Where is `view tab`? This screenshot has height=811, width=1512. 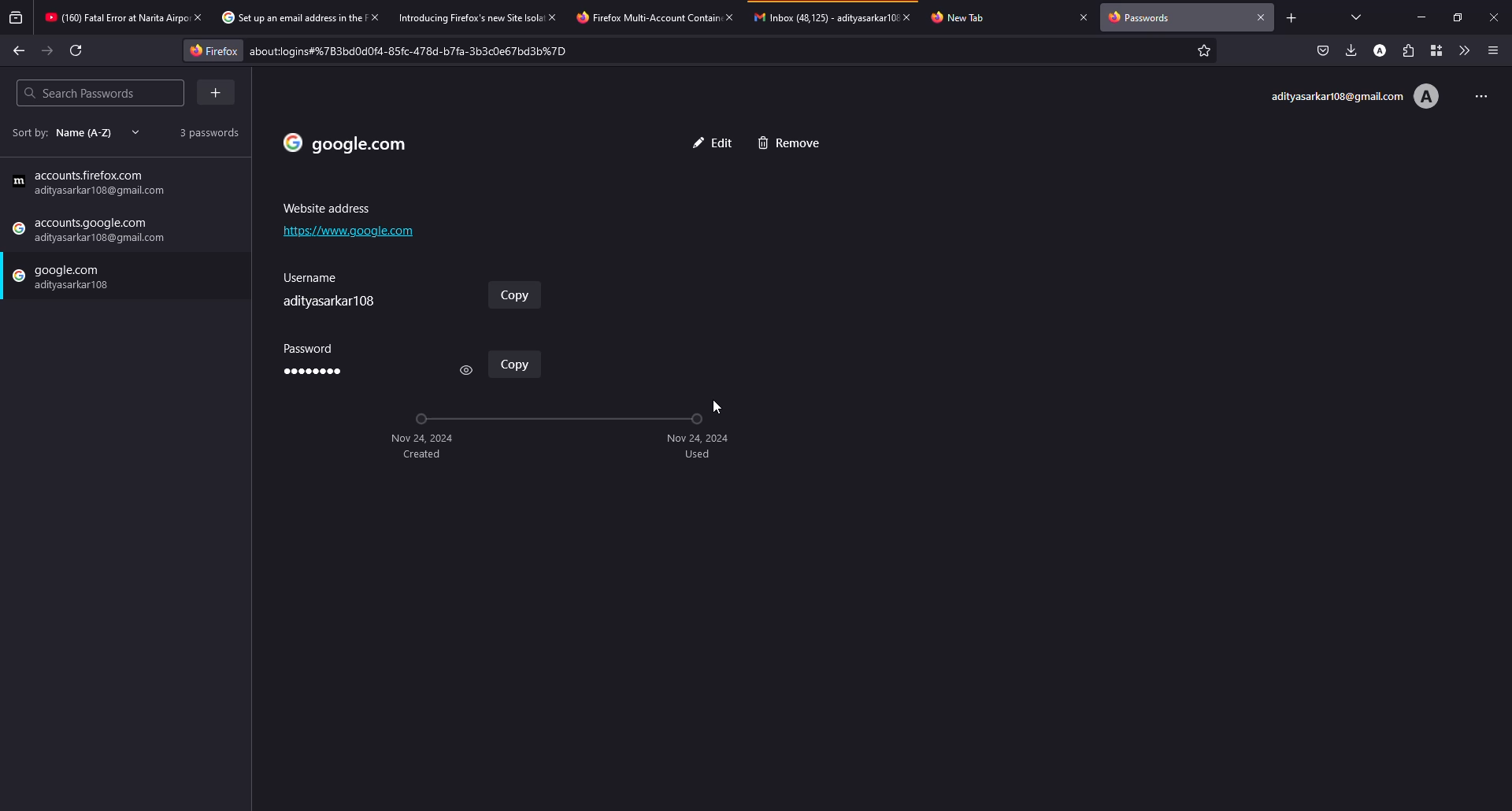 view tab is located at coordinates (1357, 17).